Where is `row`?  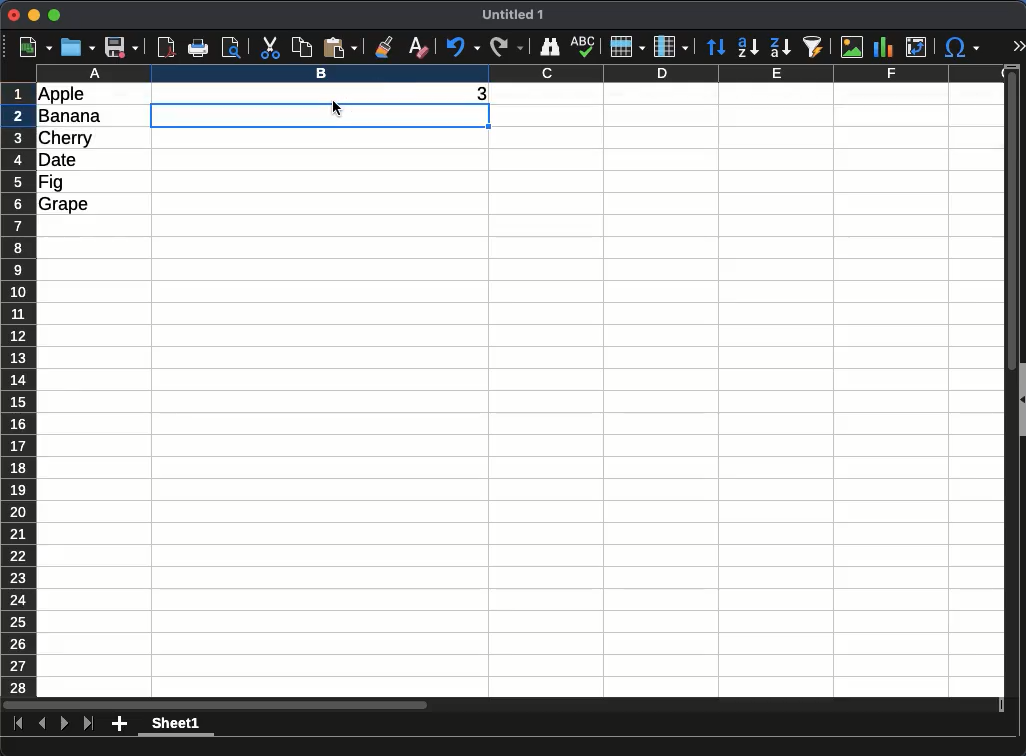
row is located at coordinates (628, 47).